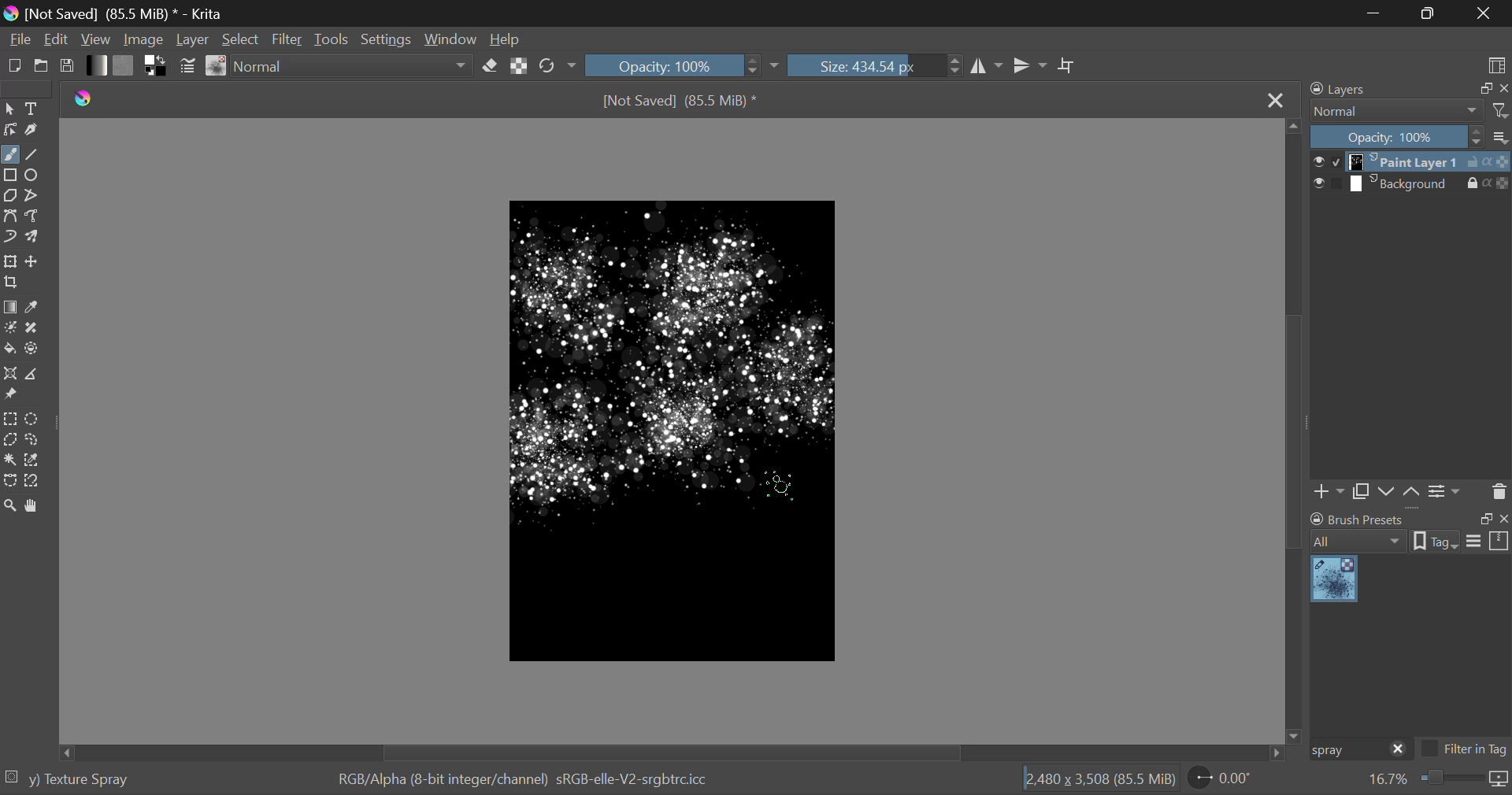  What do you see at coordinates (520, 65) in the screenshot?
I see `Lock Alpha` at bounding box center [520, 65].